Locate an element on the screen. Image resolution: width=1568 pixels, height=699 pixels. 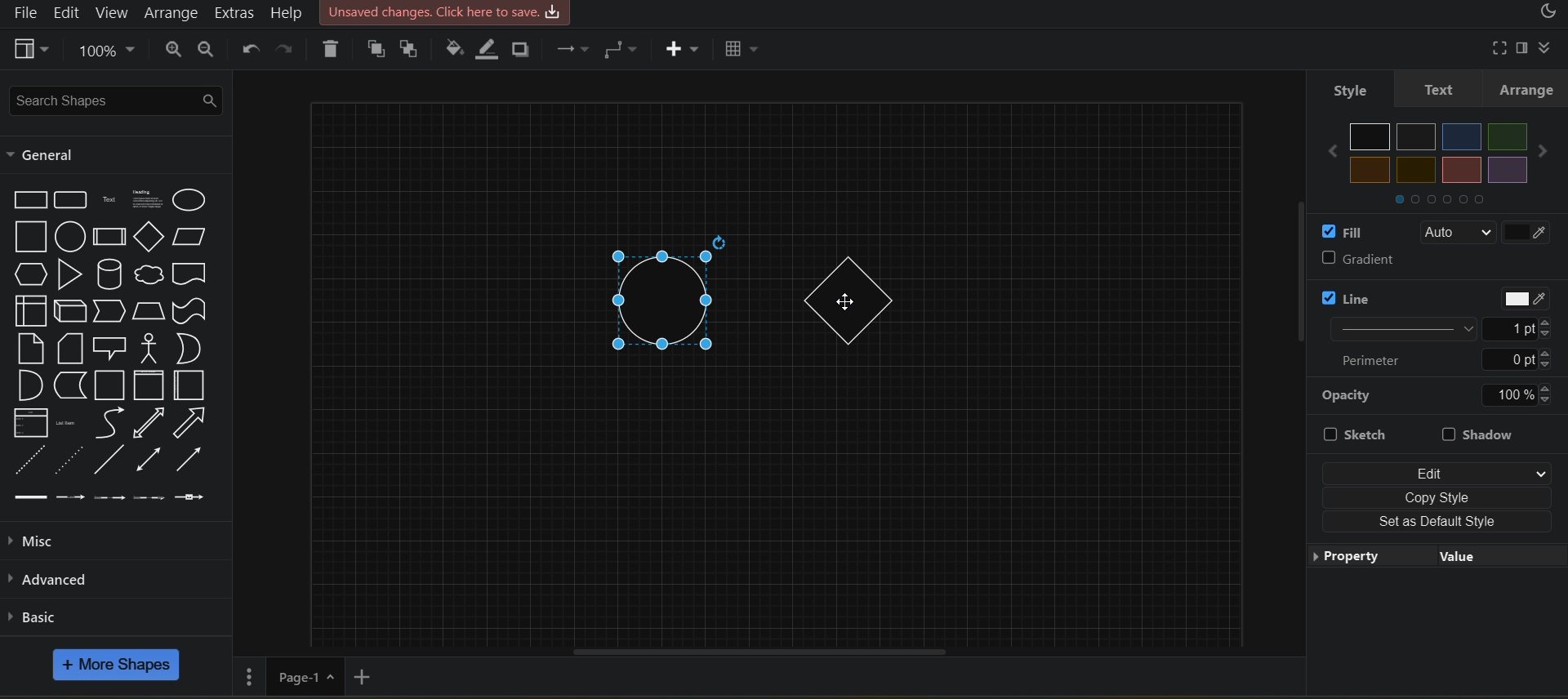
Perimeter is located at coordinates (1430, 363).